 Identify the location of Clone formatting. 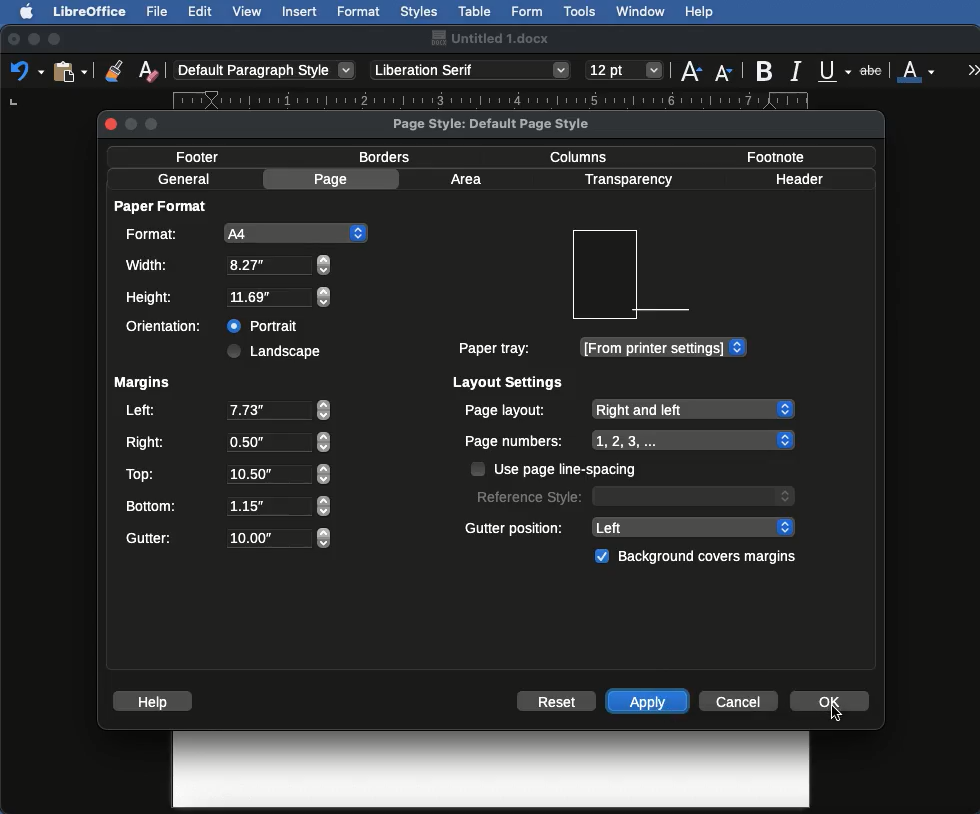
(114, 70).